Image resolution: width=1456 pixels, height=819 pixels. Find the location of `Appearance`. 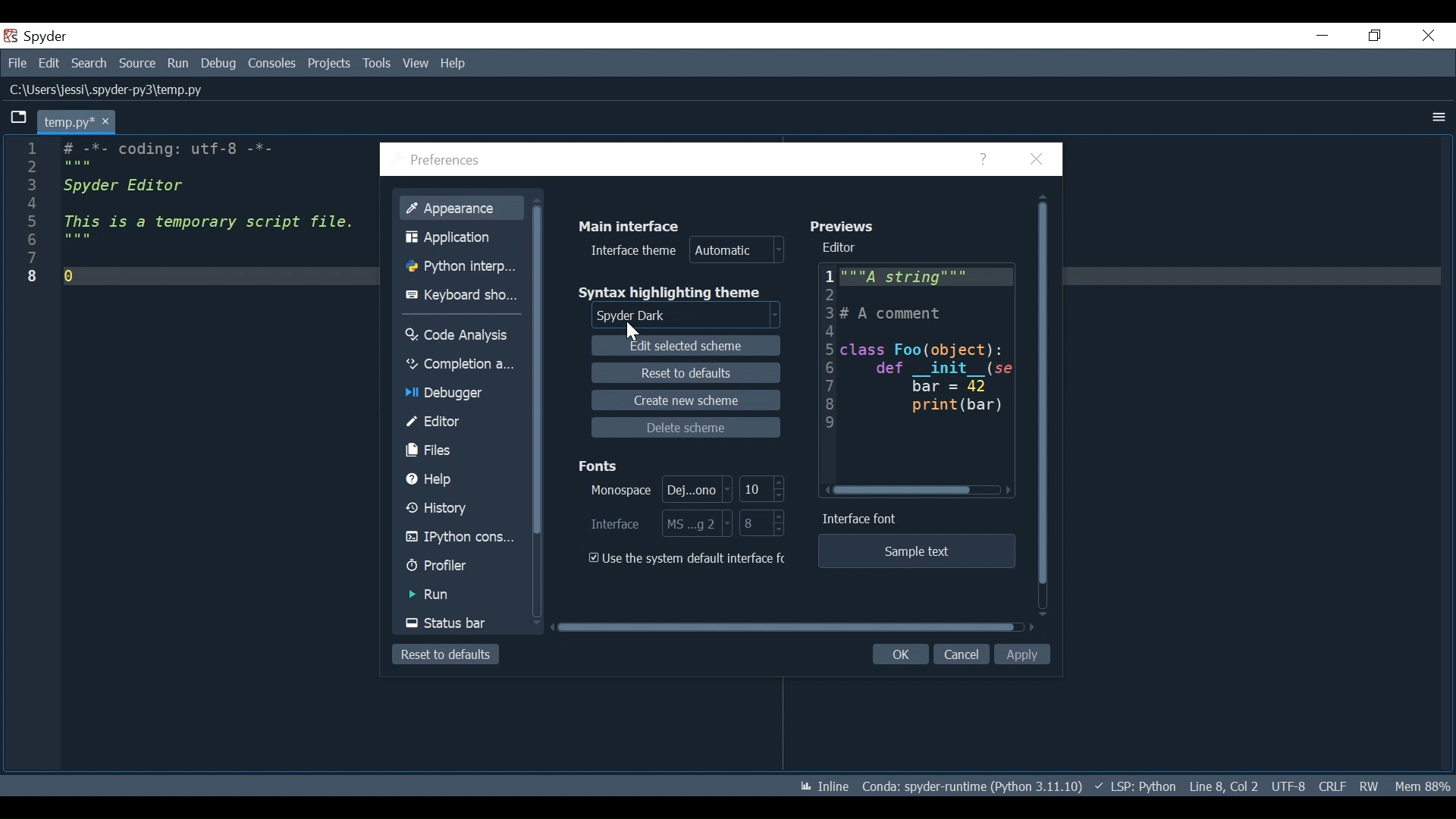

Appearance is located at coordinates (463, 208).